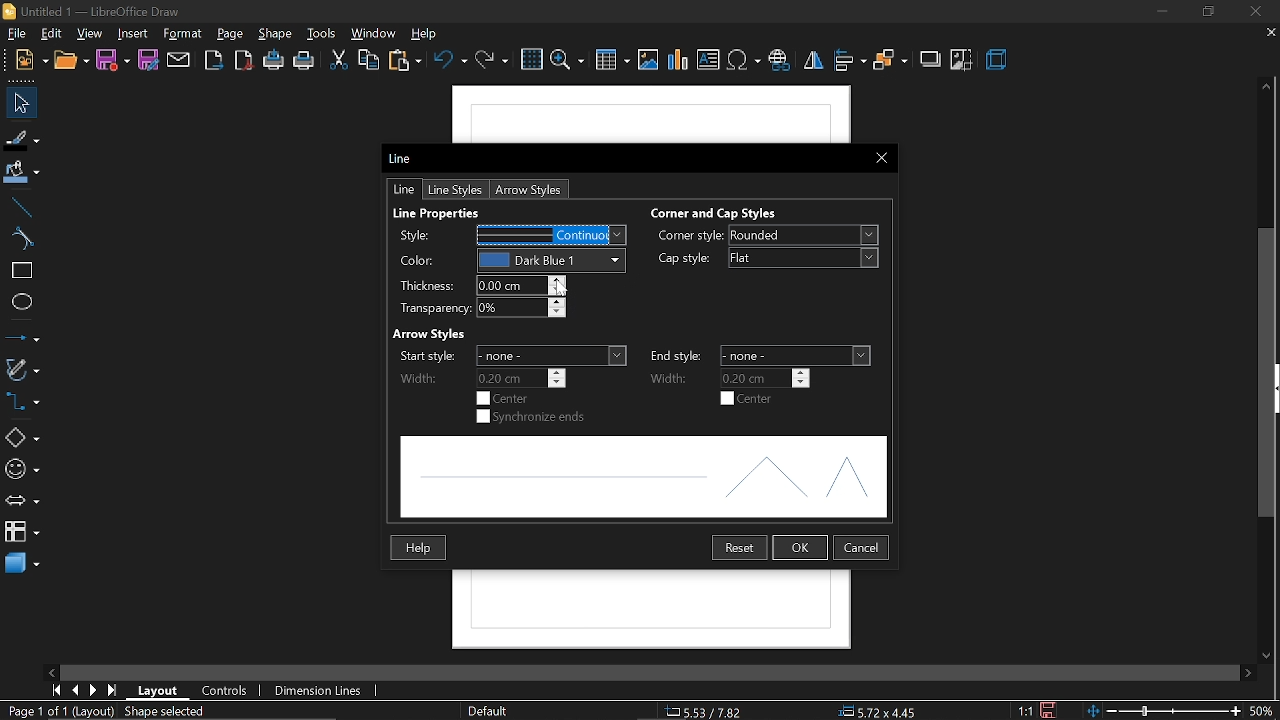  Describe the element at coordinates (452, 64) in the screenshot. I see `undo` at that location.